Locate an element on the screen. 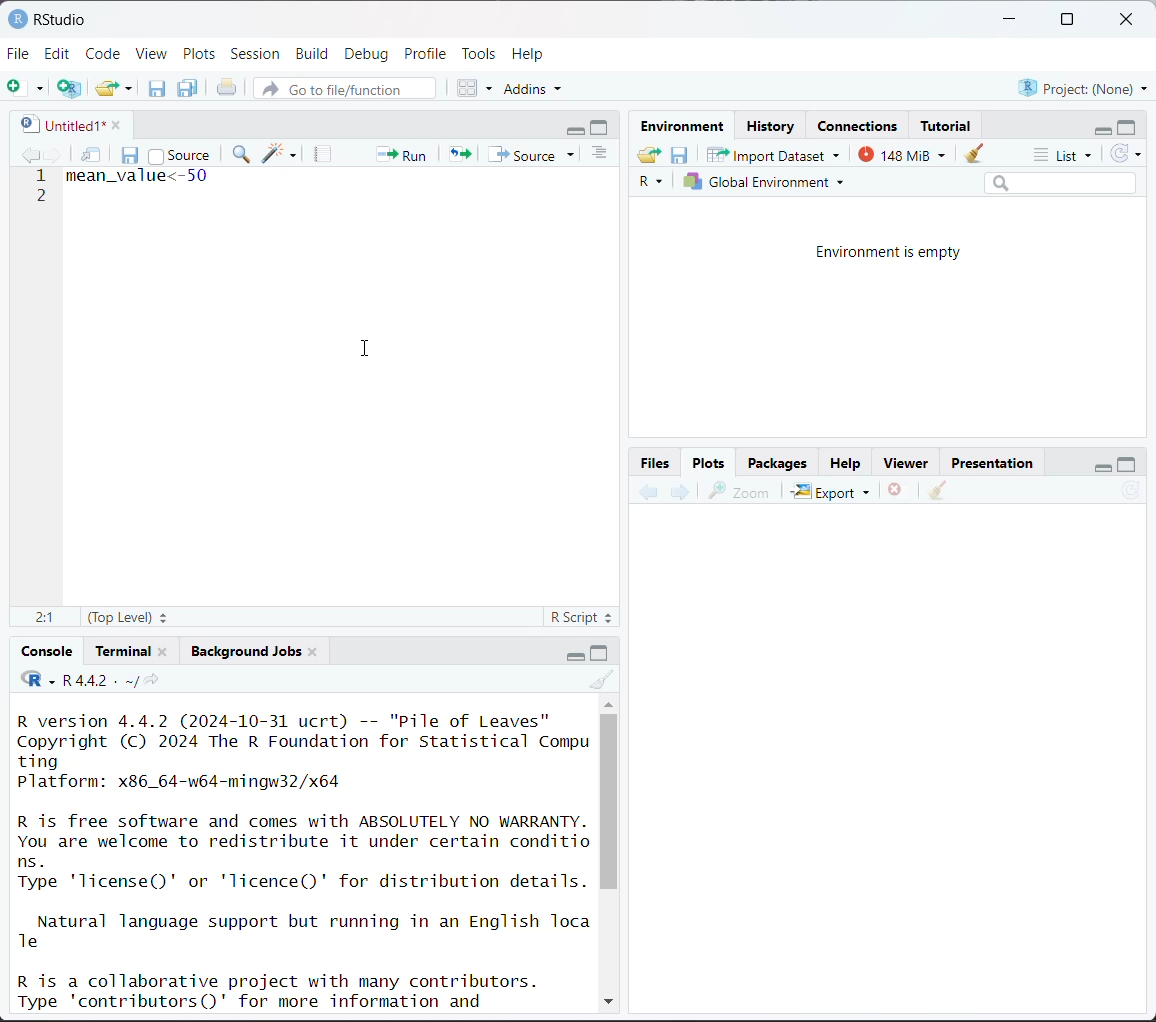 This screenshot has height=1022, width=1156. go forward to next source location is located at coordinates (54, 156).